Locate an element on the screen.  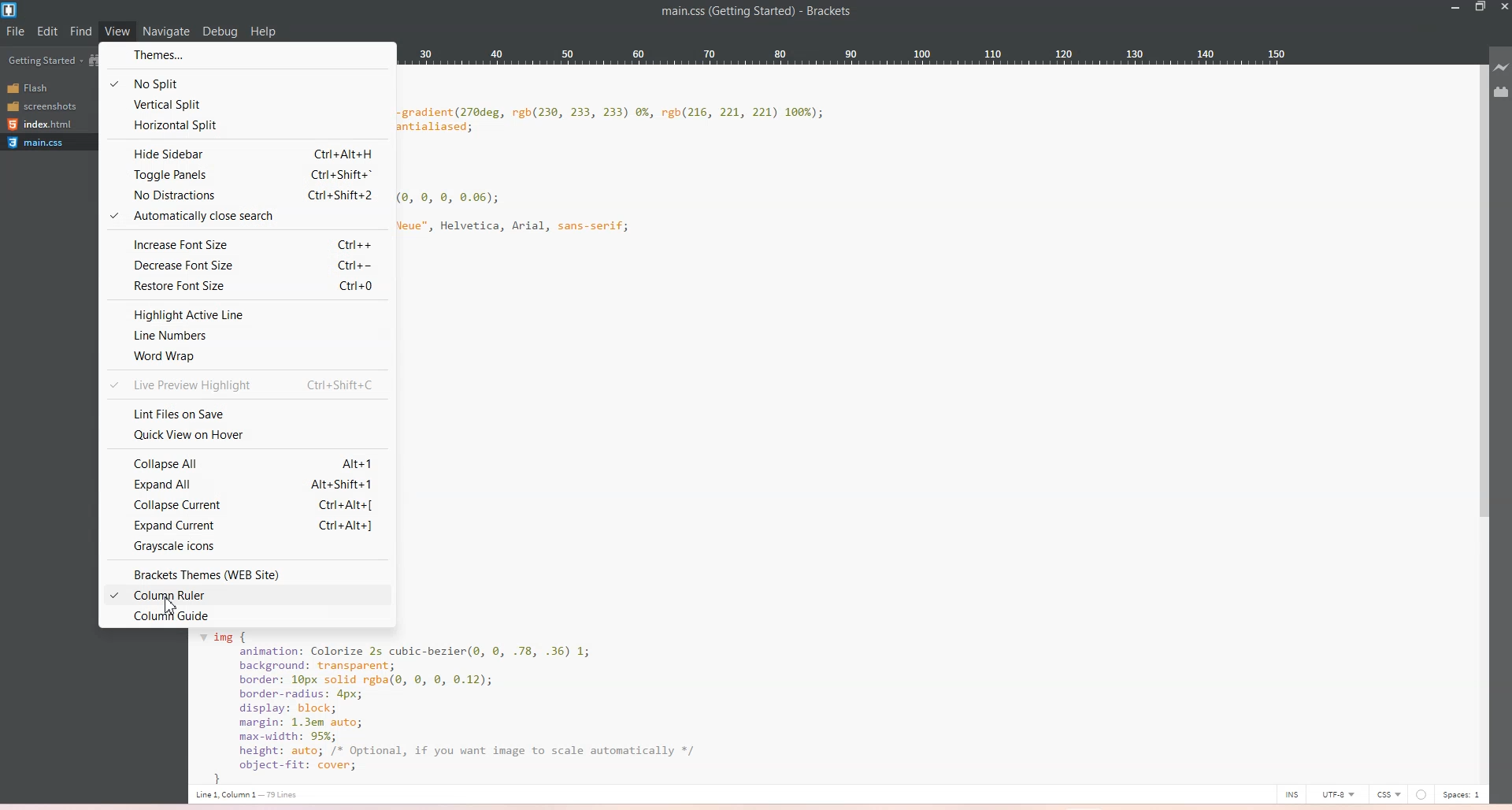
Spaces: 1 is located at coordinates (1464, 795).